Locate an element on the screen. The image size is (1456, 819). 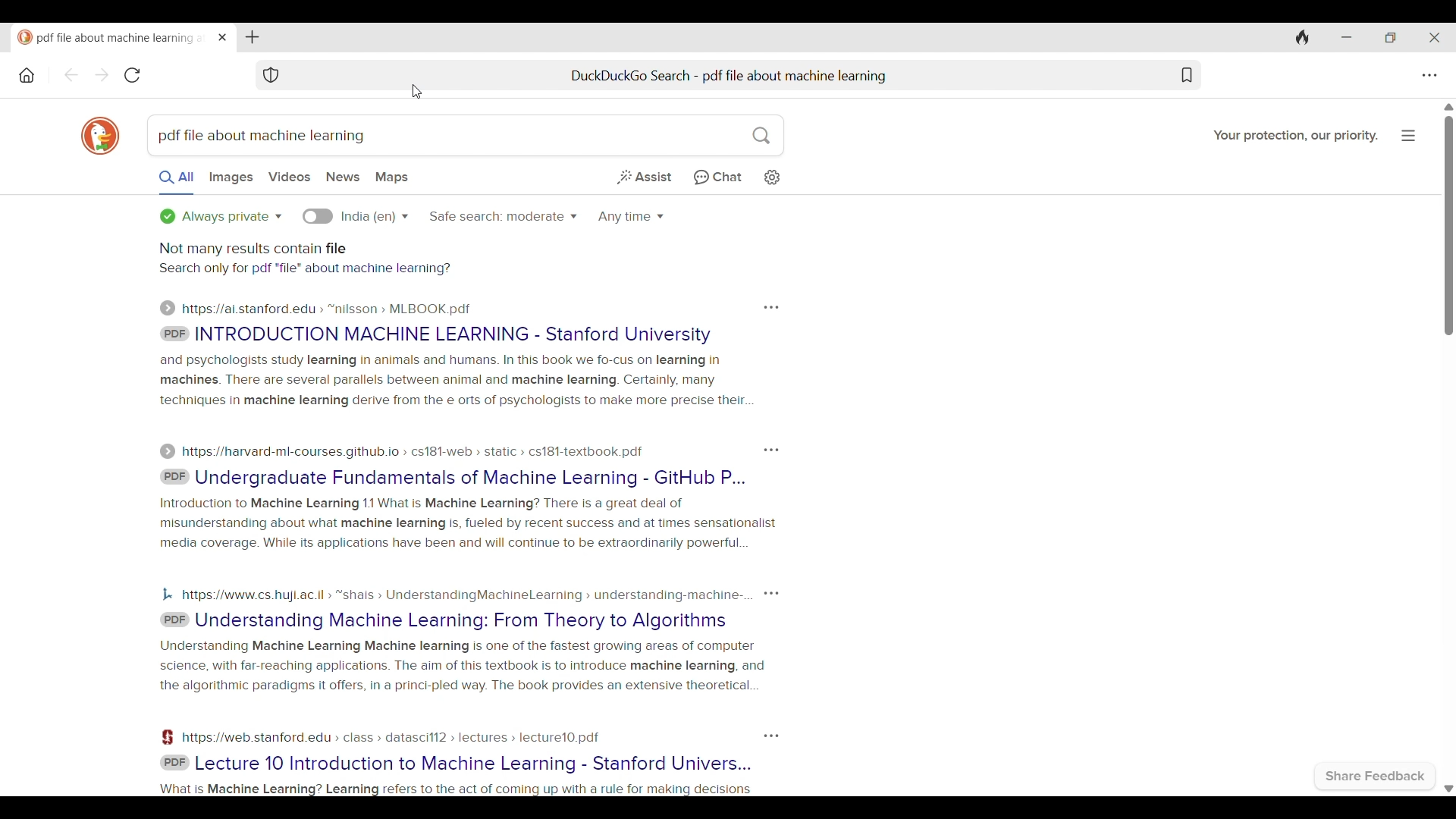
Not many results contain file is located at coordinates (253, 249).